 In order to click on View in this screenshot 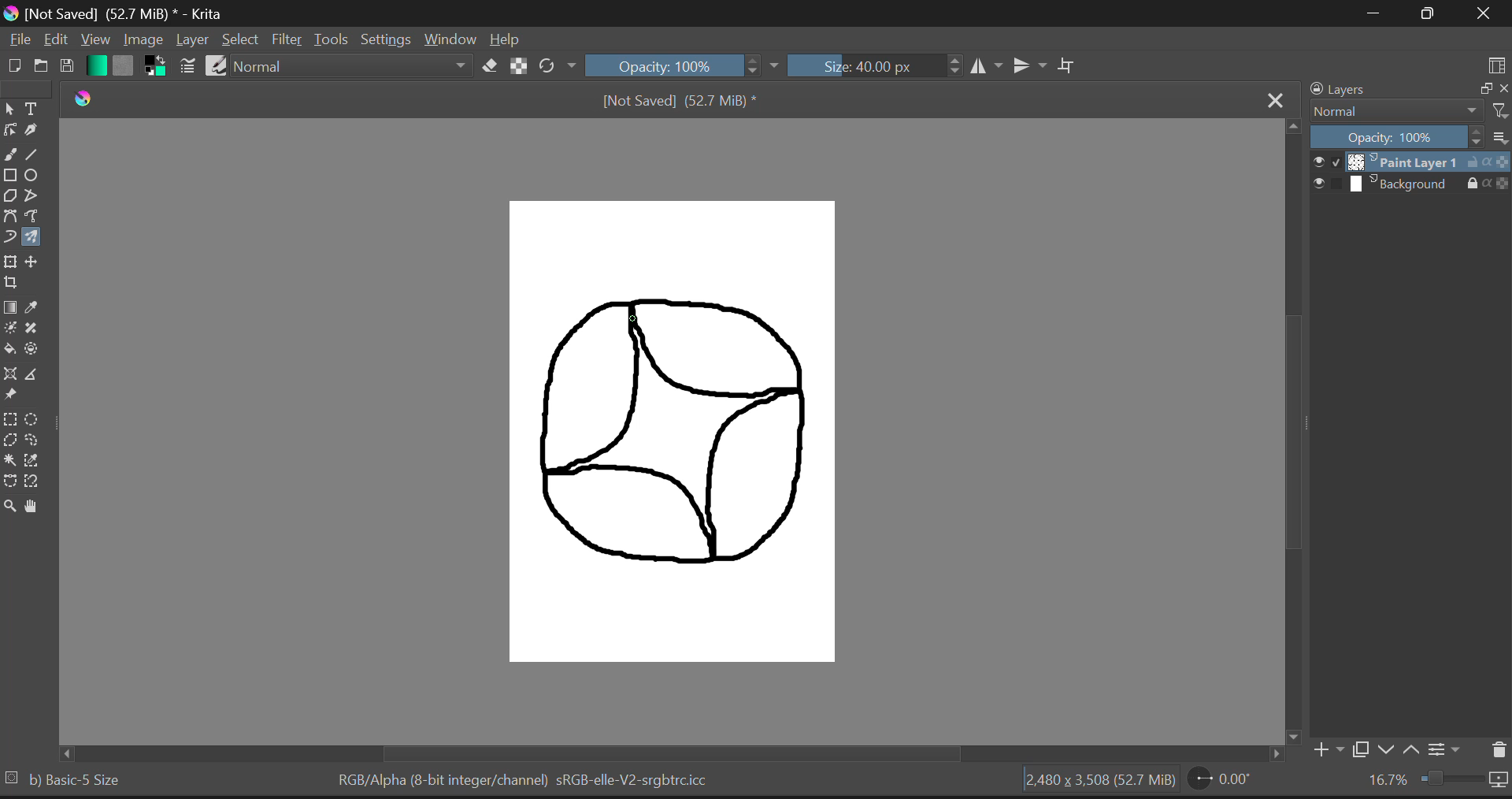, I will do `click(94, 39)`.